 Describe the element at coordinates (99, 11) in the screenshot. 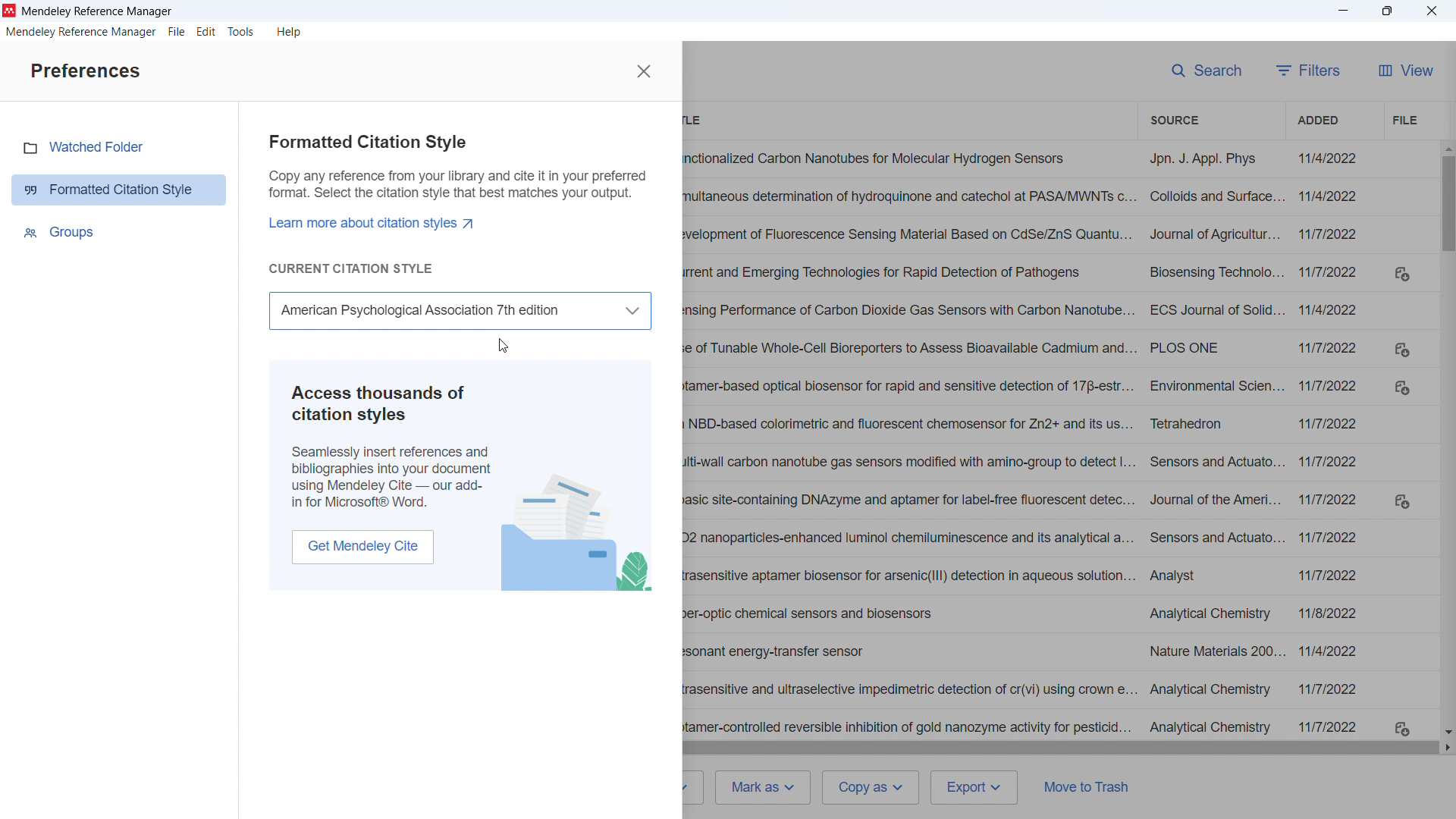

I see `Title ` at that location.